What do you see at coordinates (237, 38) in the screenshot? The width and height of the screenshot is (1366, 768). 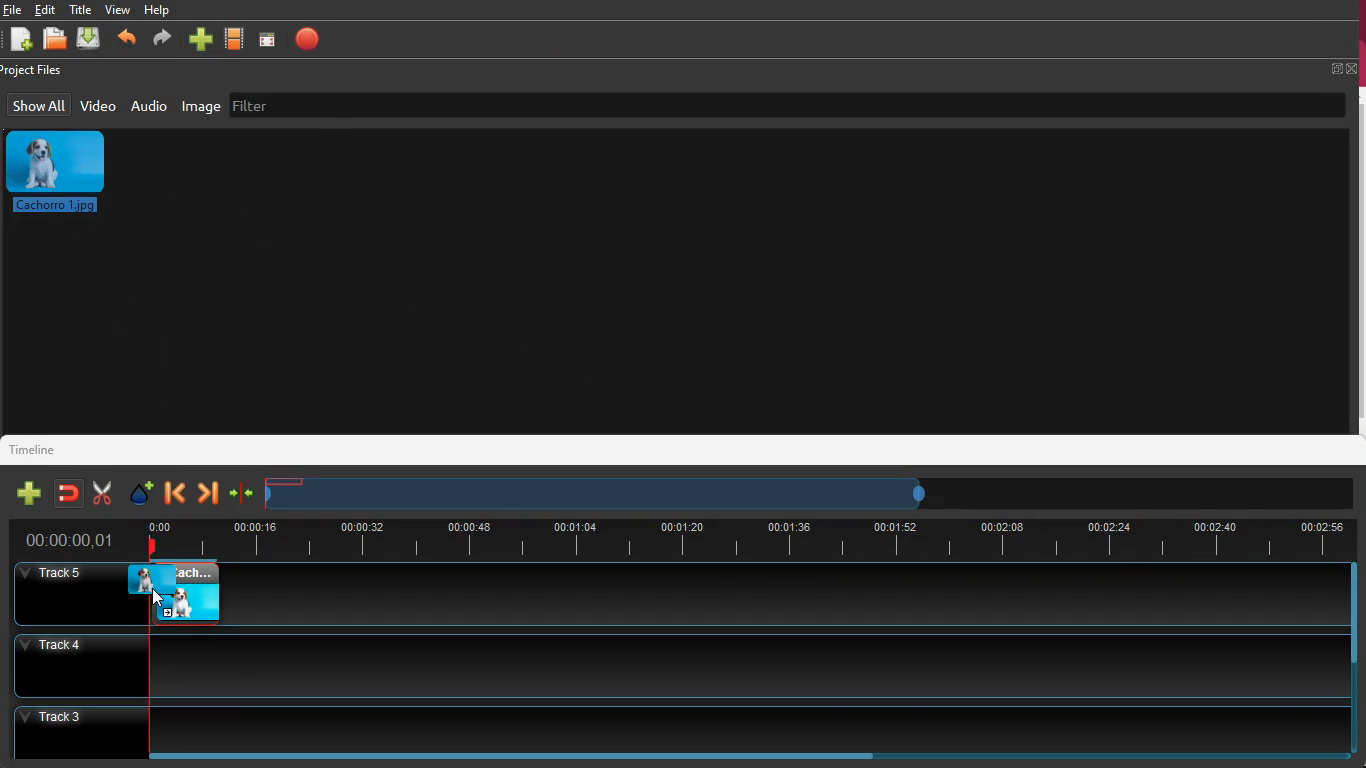 I see `movie` at bounding box center [237, 38].